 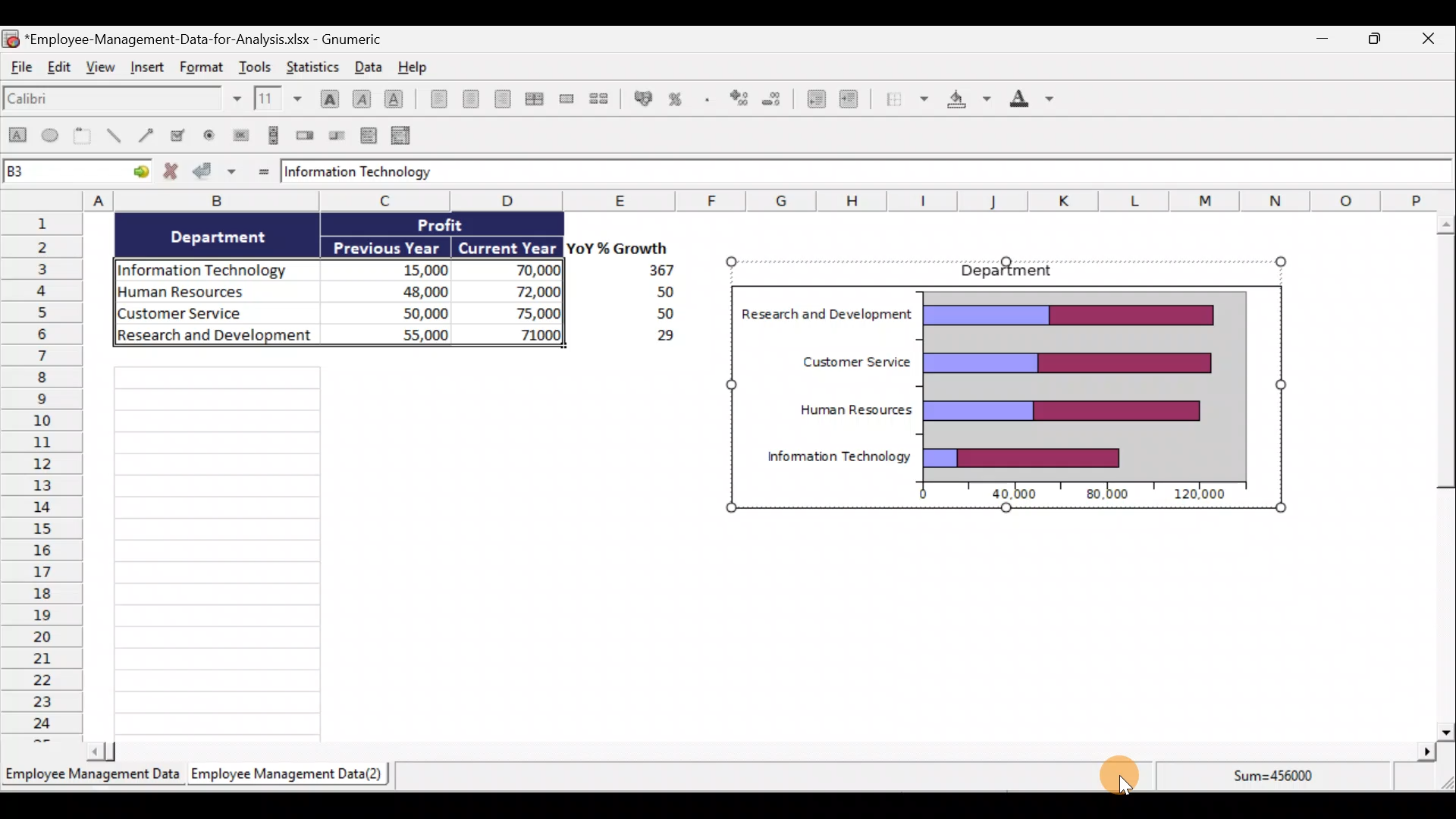 I want to click on Create a slider, so click(x=338, y=134).